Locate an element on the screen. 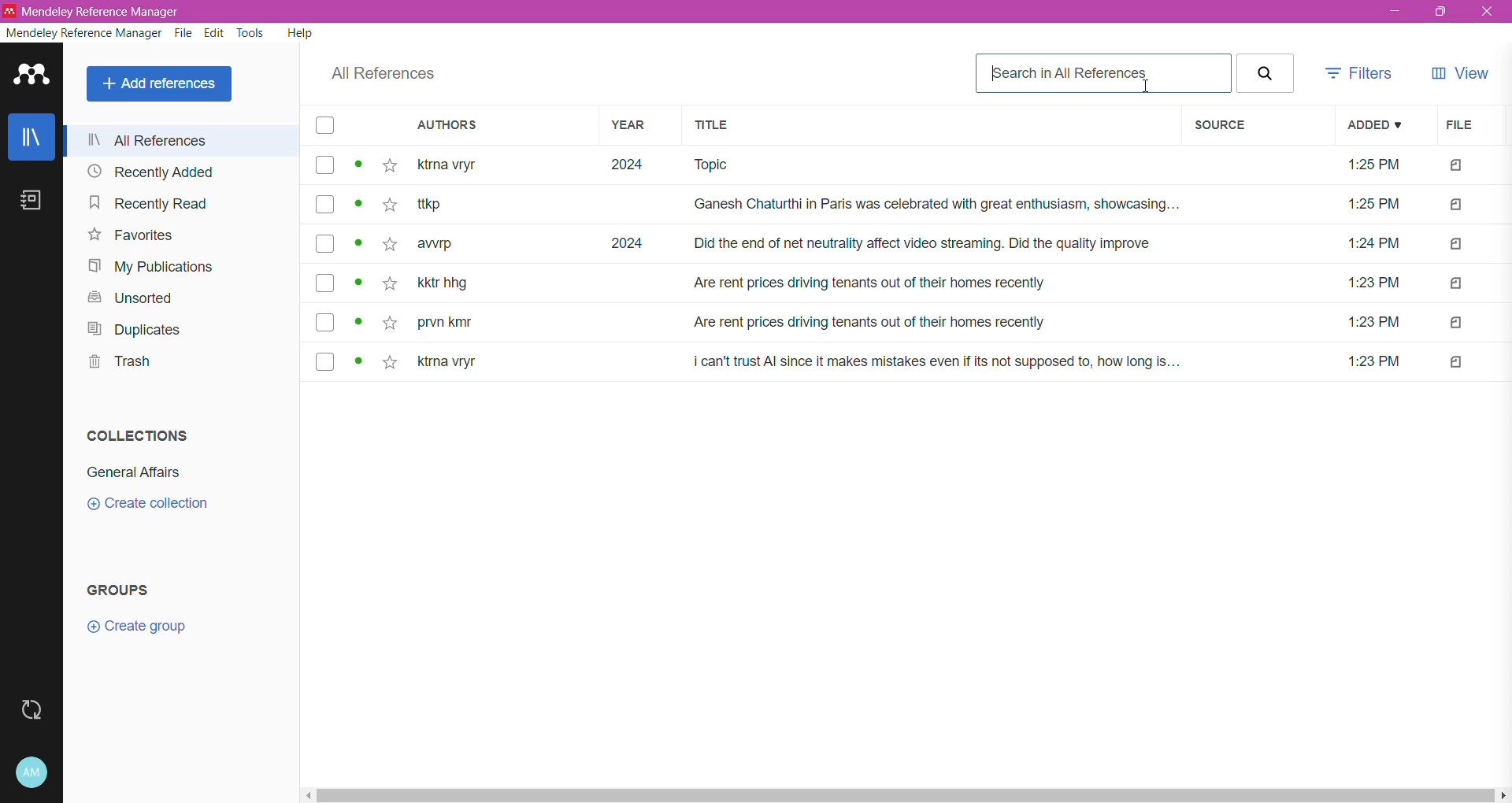 The image size is (1512, 803). click here to add to favourites is located at coordinates (389, 246).